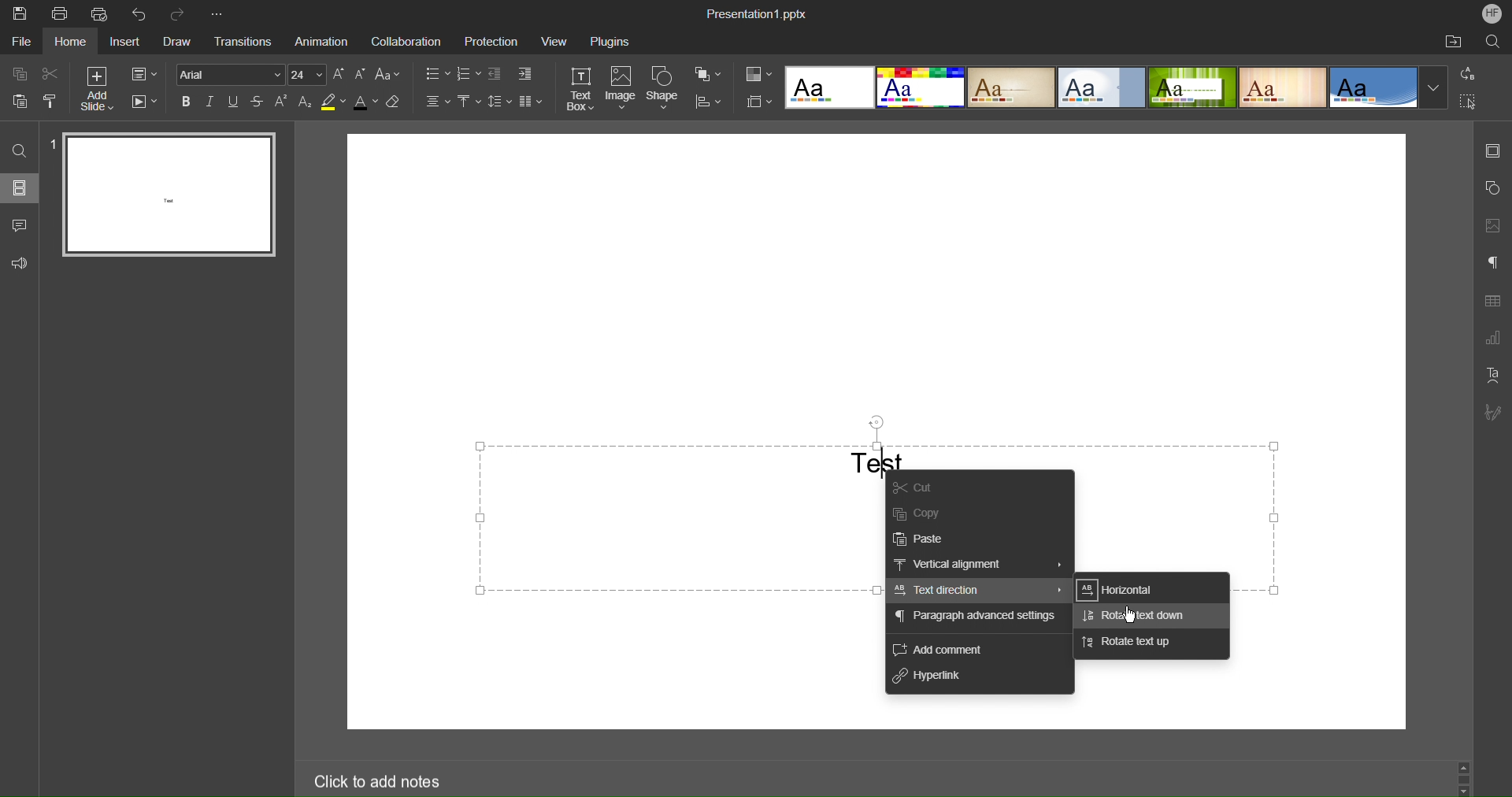  What do you see at coordinates (235, 102) in the screenshot?
I see `Underline` at bounding box center [235, 102].